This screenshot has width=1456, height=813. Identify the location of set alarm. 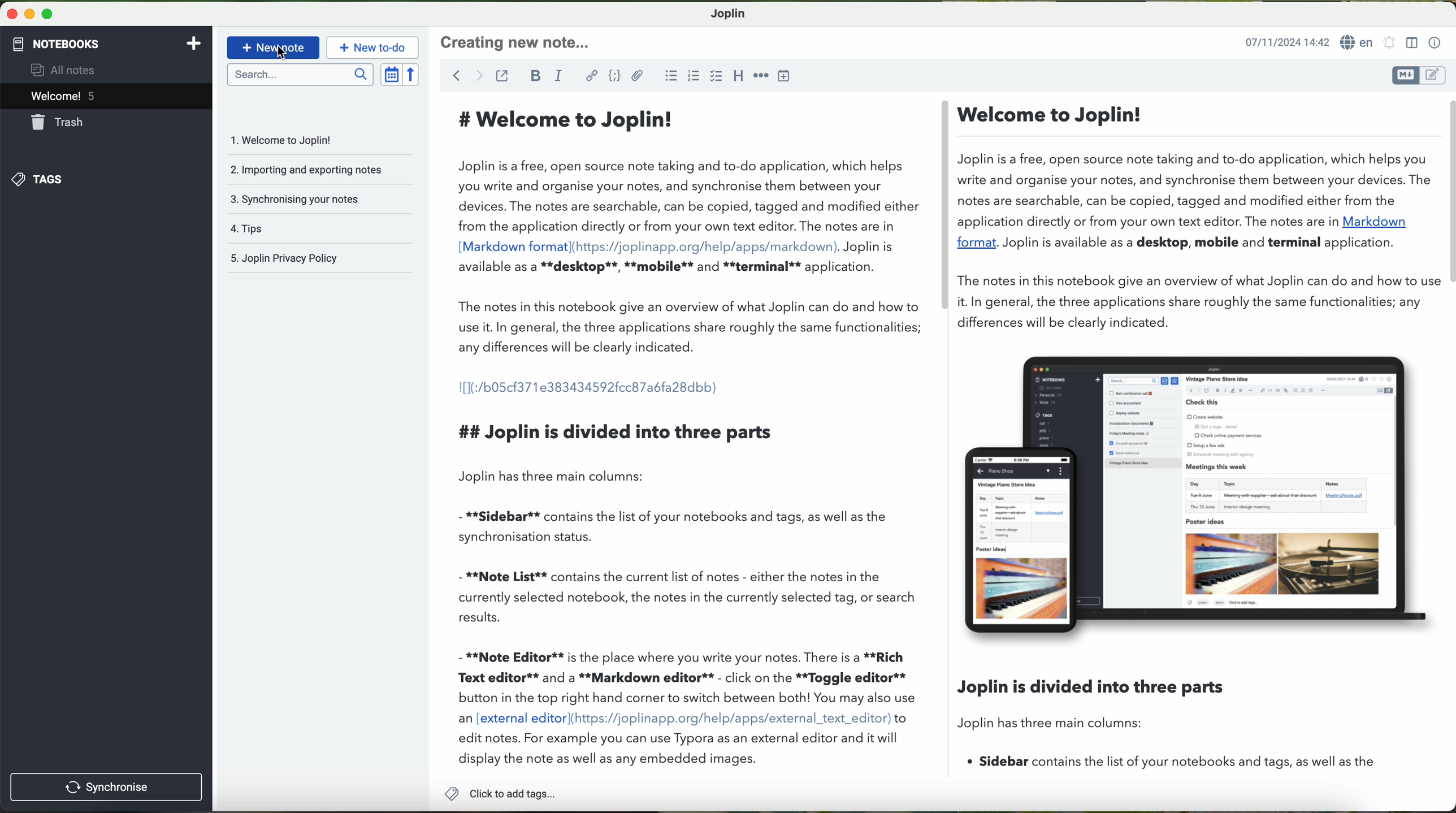
(1389, 45).